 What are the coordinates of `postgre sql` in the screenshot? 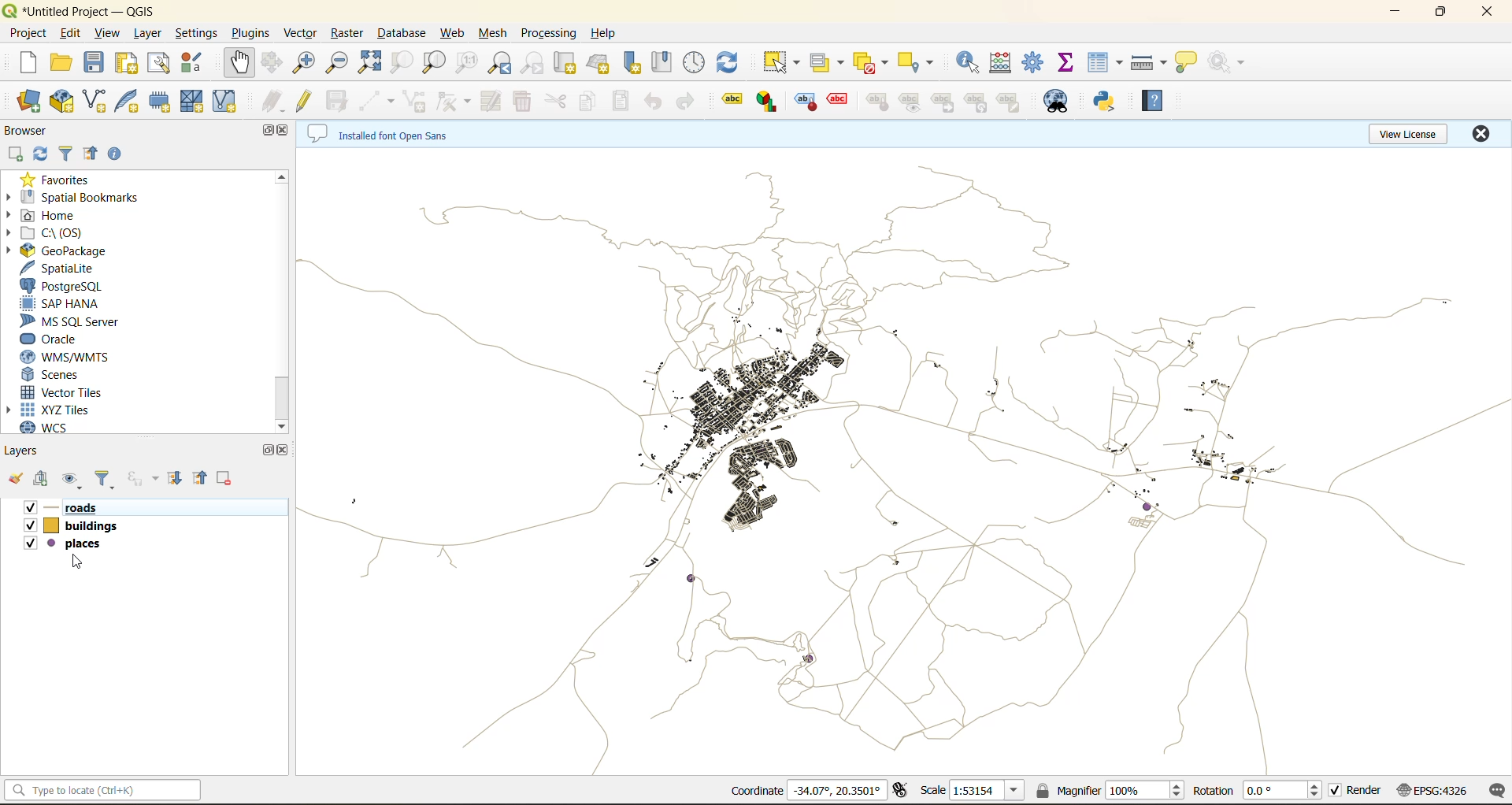 It's located at (69, 285).